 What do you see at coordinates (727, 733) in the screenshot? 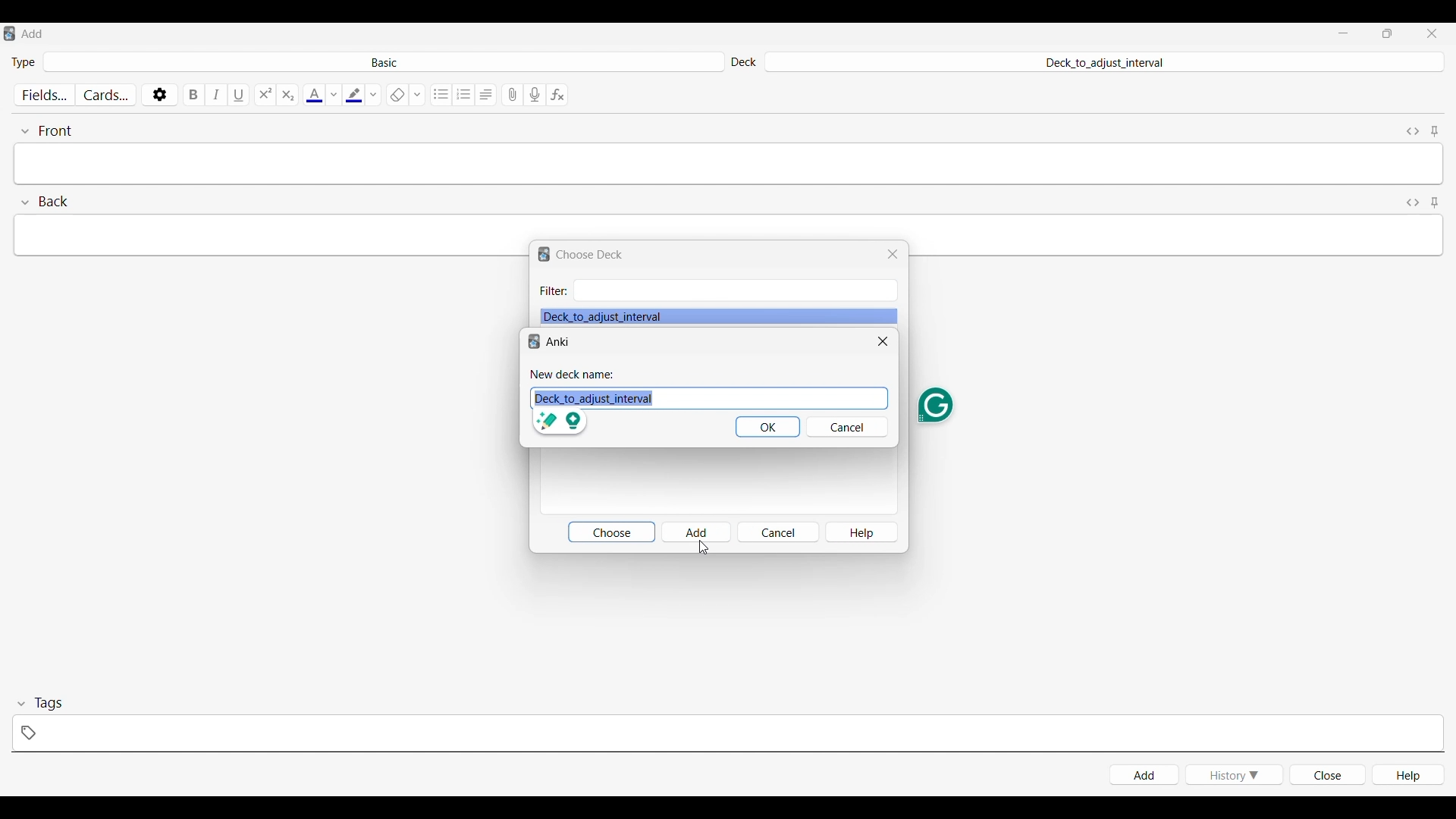
I see `Click to type in tags` at bounding box center [727, 733].